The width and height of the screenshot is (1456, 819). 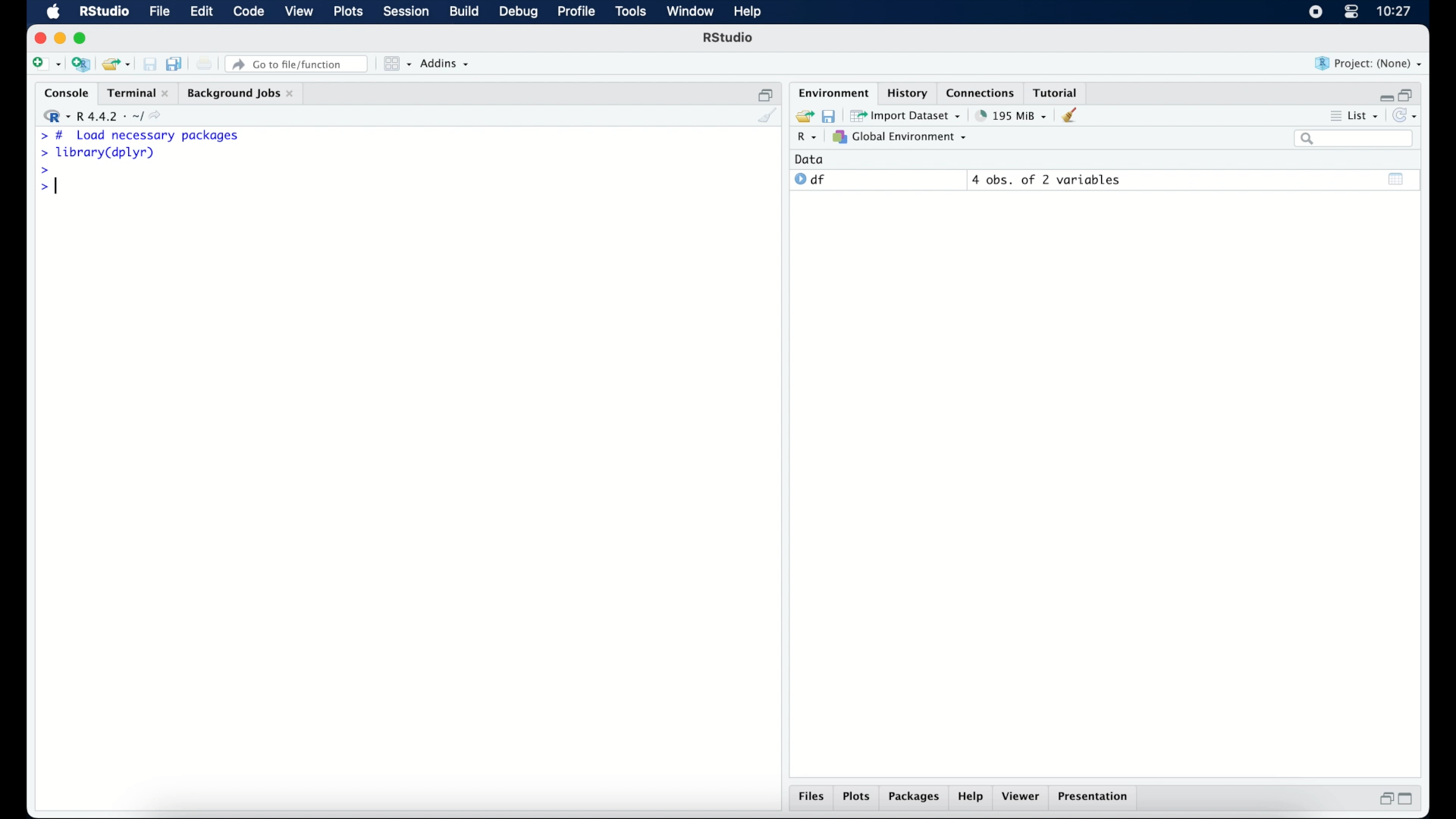 What do you see at coordinates (1384, 800) in the screenshot?
I see `restore down` at bounding box center [1384, 800].